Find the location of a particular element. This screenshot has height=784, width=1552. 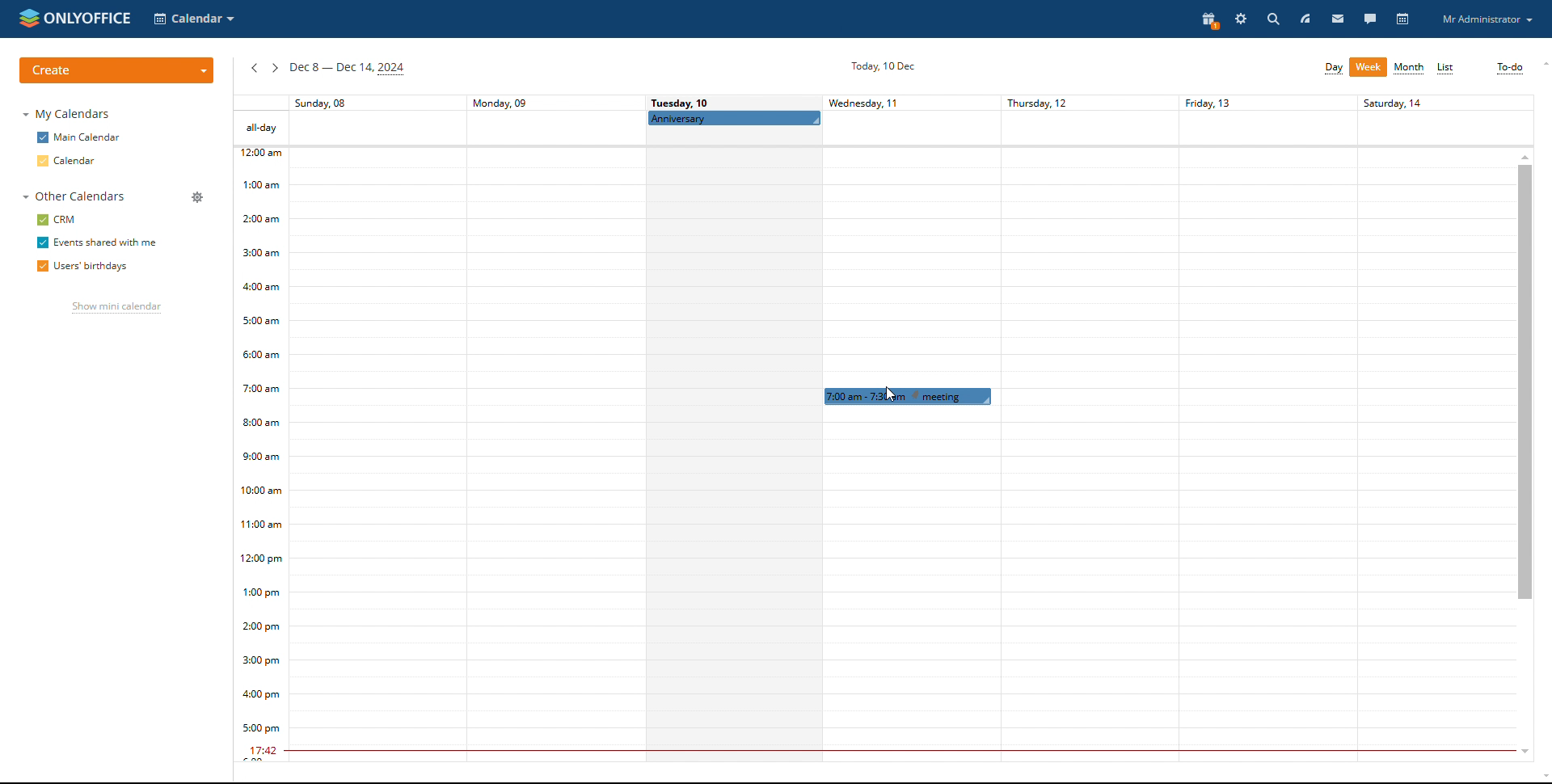

show mini calendar is located at coordinates (116, 307).